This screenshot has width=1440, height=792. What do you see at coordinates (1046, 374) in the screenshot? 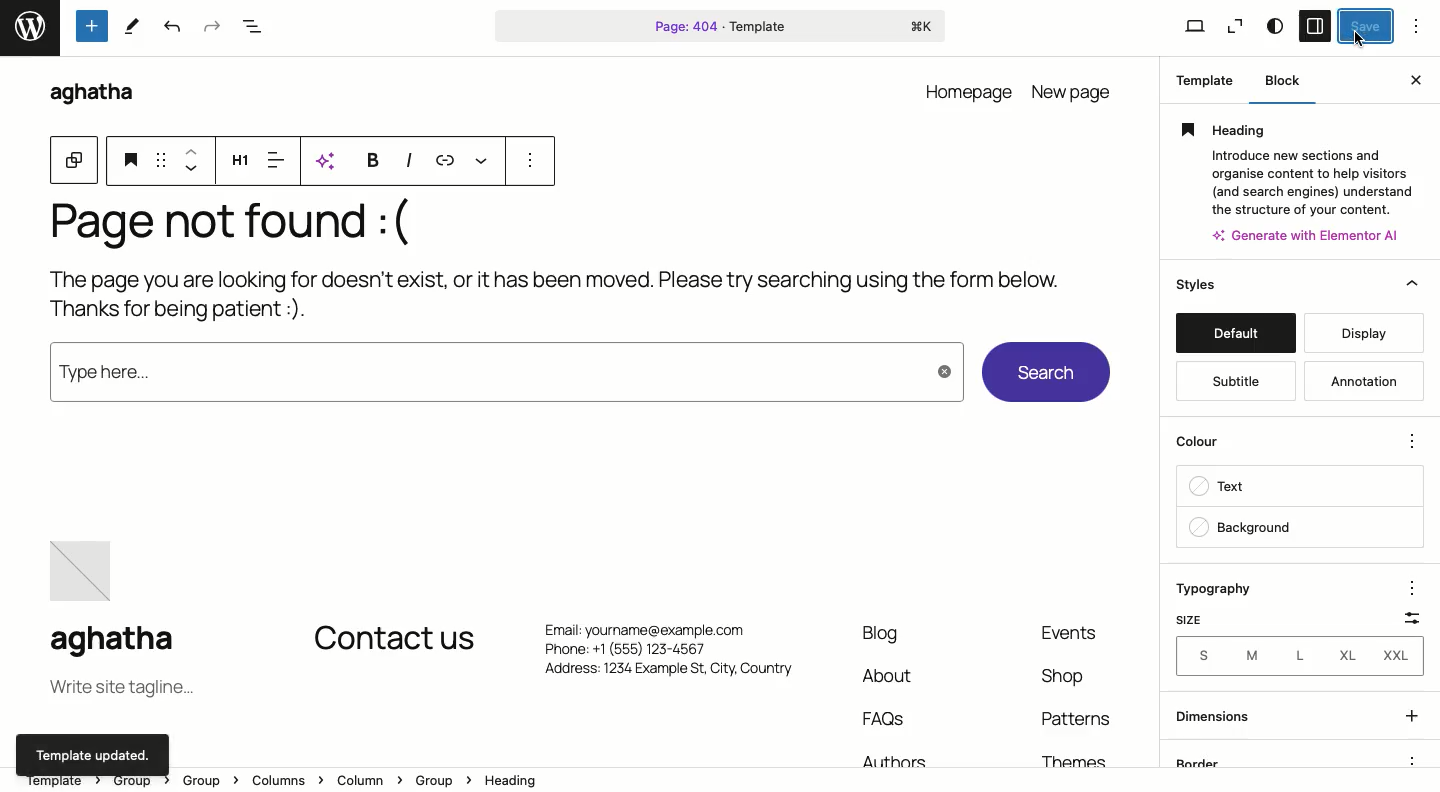
I see `Search` at bounding box center [1046, 374].